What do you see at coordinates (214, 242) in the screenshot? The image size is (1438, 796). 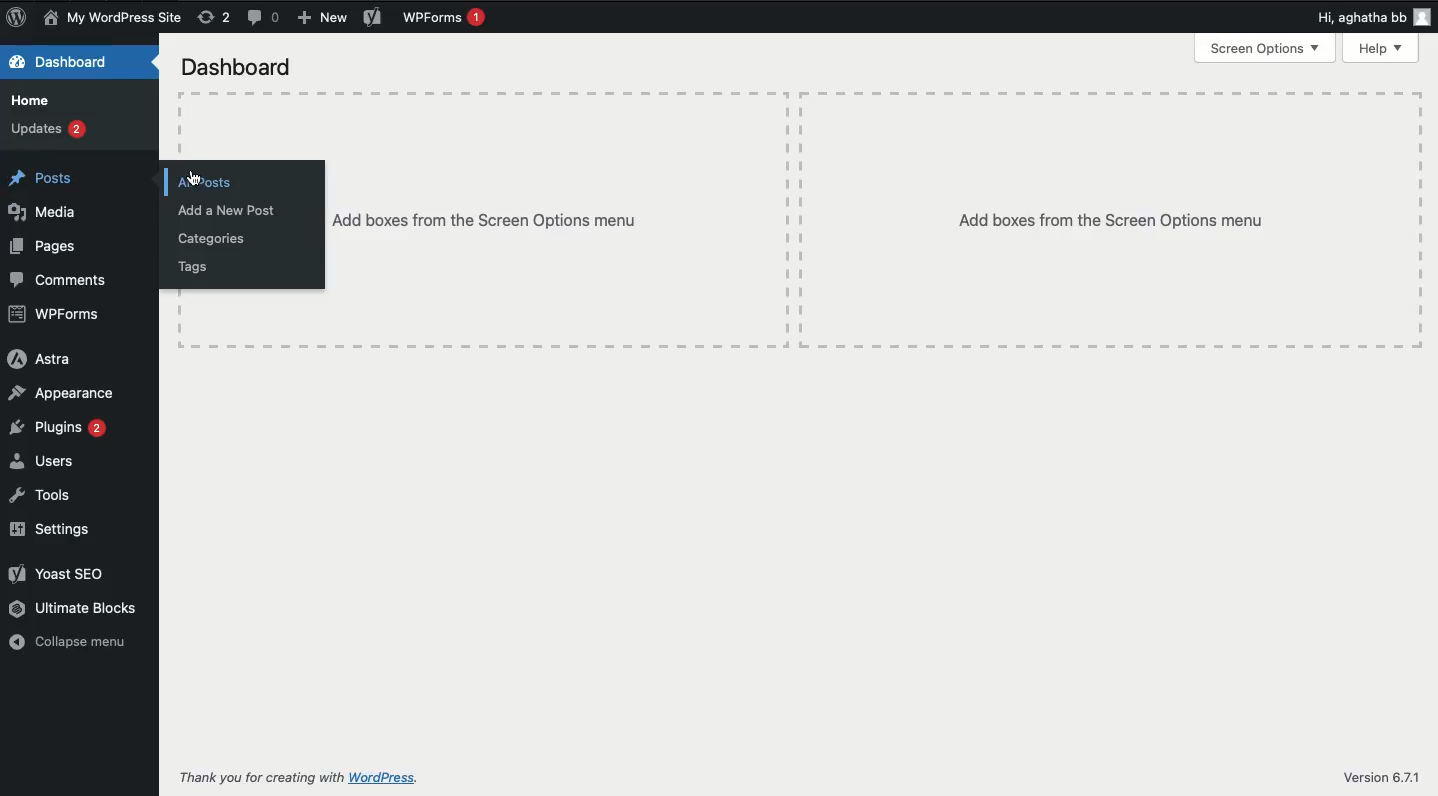 I see `Categories ` at bounding box center [214, 242].